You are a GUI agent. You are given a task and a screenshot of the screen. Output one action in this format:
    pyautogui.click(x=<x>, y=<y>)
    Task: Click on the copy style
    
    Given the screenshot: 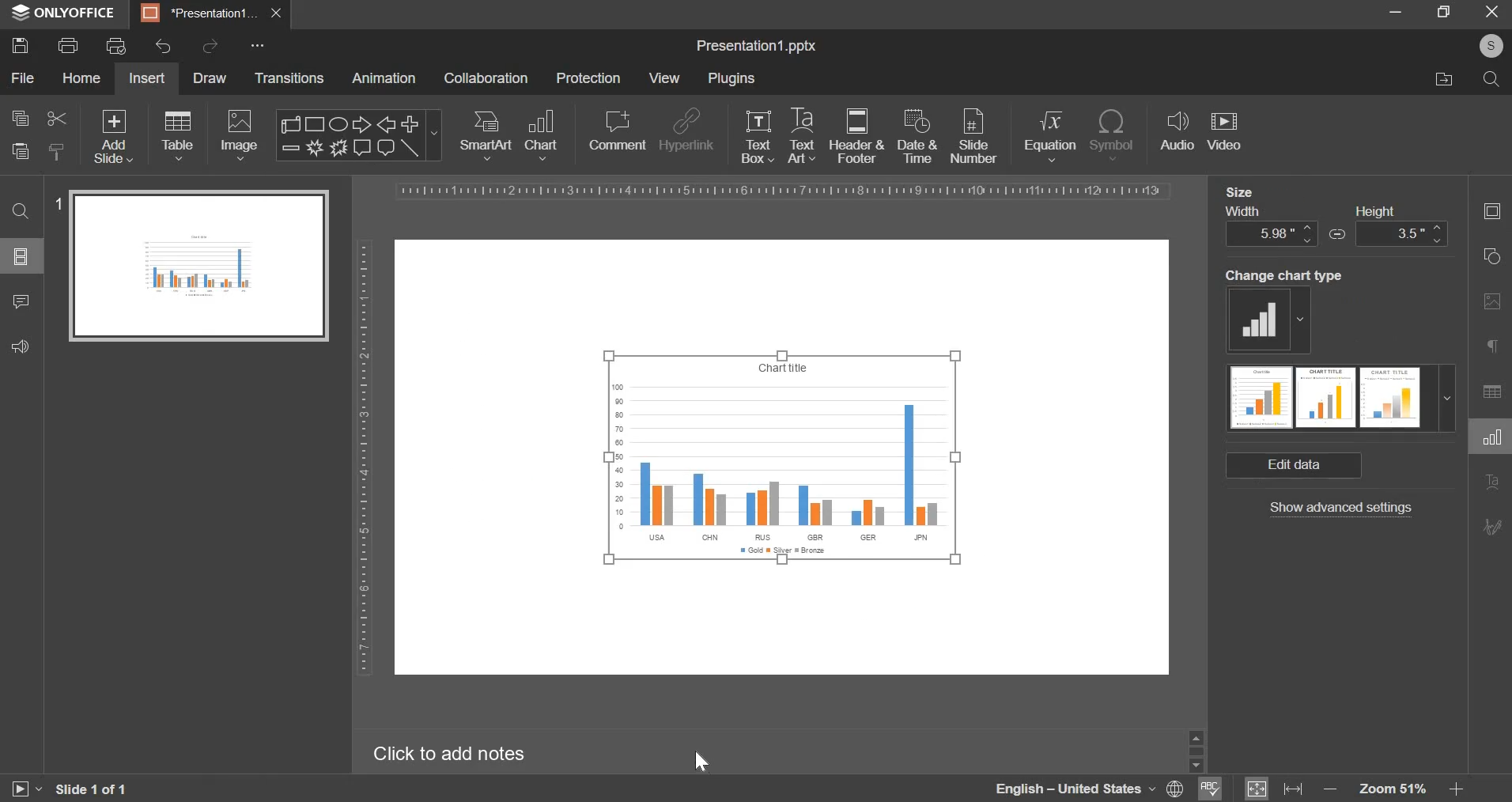 What is the action you would take?
    pyautogui.click(x=57, y=150)
    